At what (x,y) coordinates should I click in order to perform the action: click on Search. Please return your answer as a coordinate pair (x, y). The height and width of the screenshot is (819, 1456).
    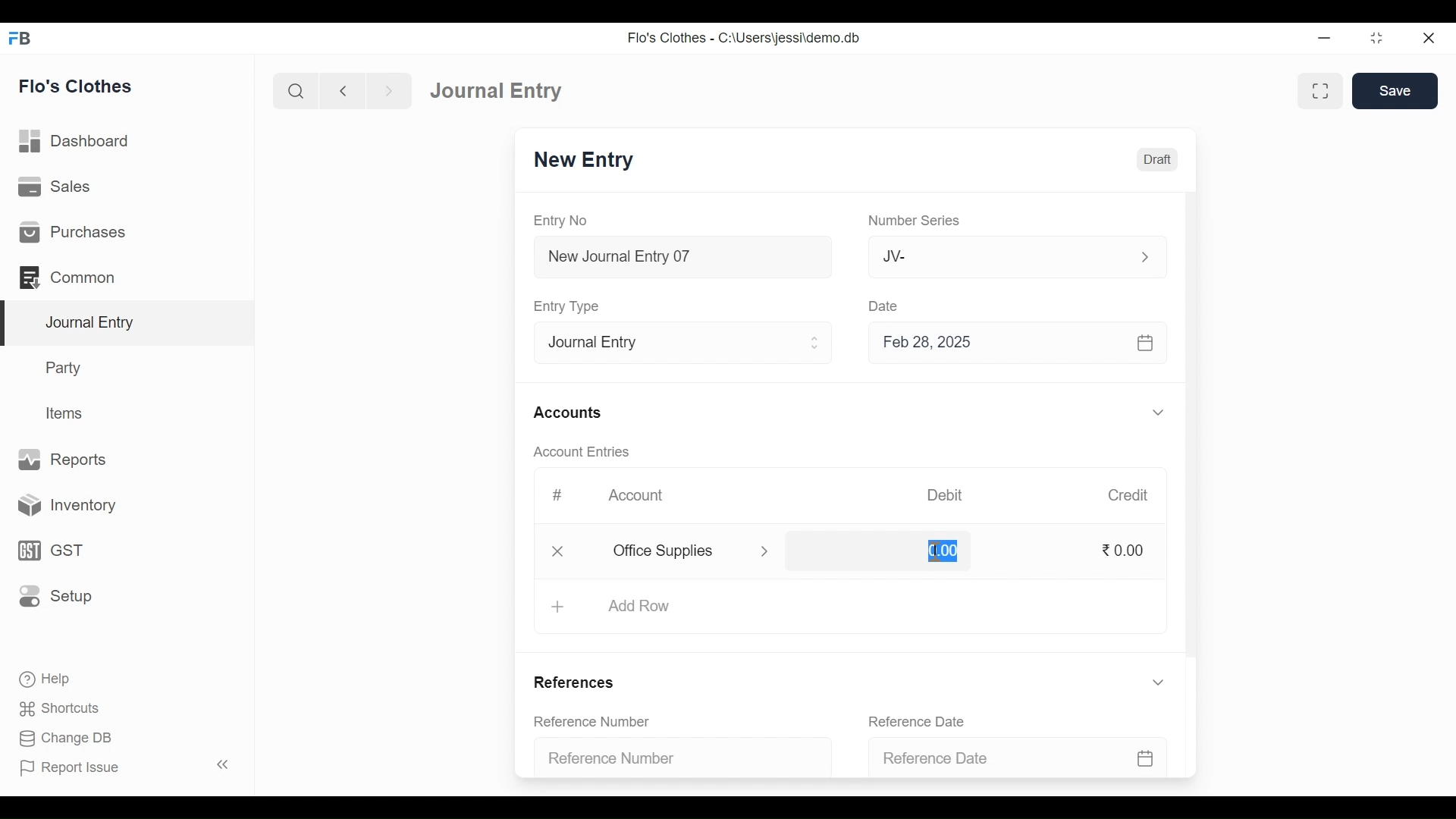
    Looking at the image, I should click on (296, 92).